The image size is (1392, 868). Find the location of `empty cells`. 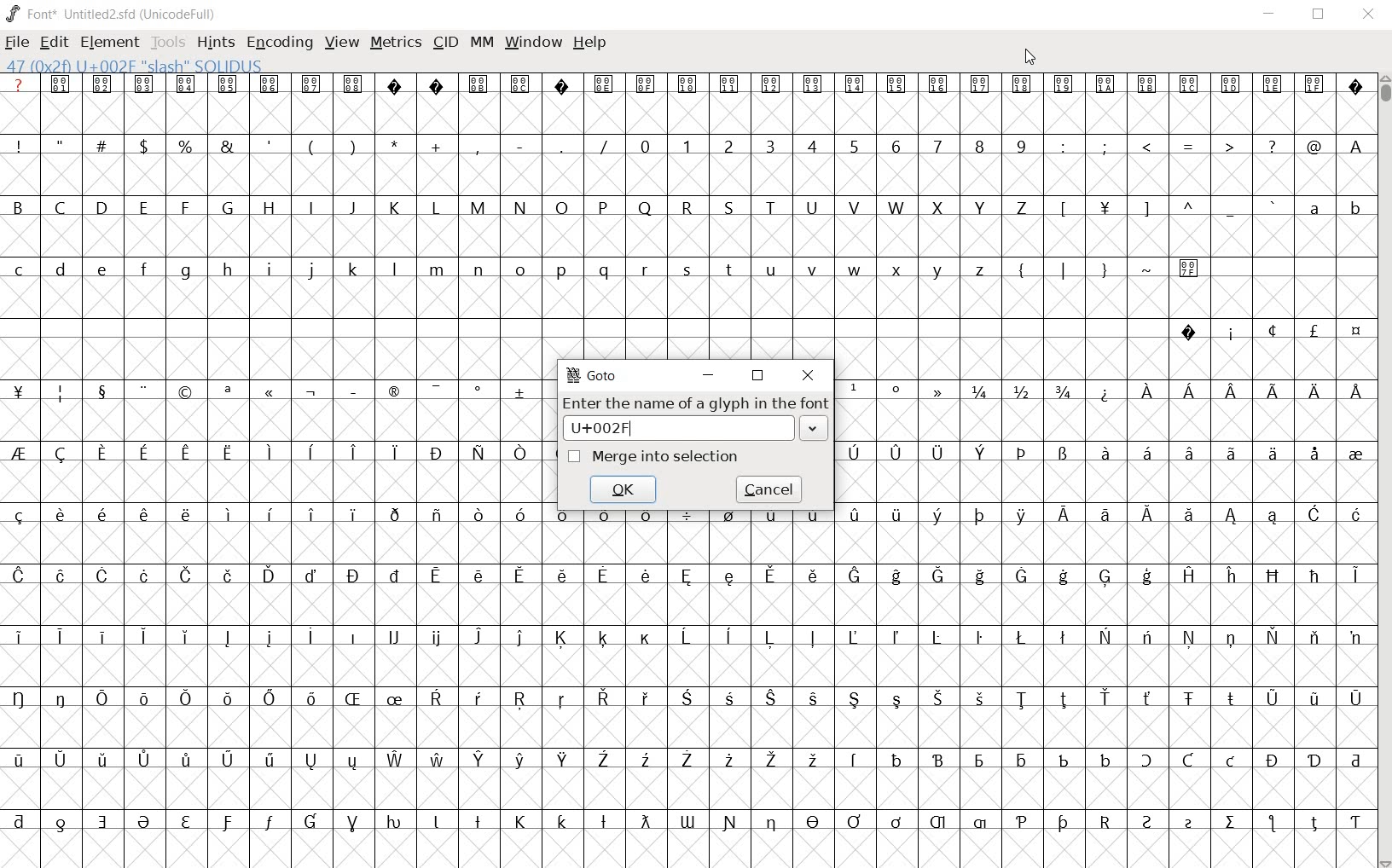

empty cells is located at coordinates (686, 297).